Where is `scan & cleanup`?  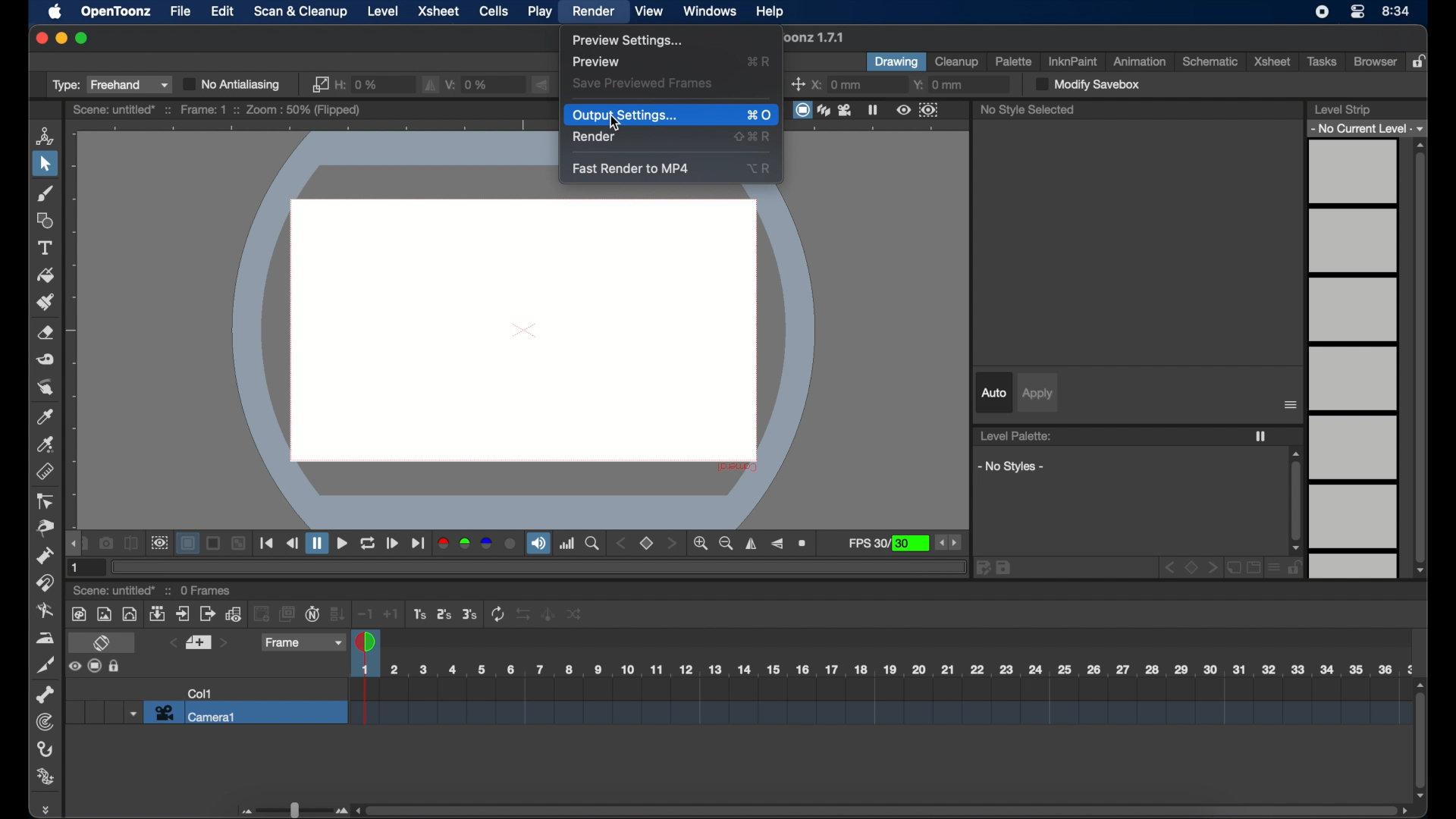
scan & cleanup is located at coordinates (300, 12).